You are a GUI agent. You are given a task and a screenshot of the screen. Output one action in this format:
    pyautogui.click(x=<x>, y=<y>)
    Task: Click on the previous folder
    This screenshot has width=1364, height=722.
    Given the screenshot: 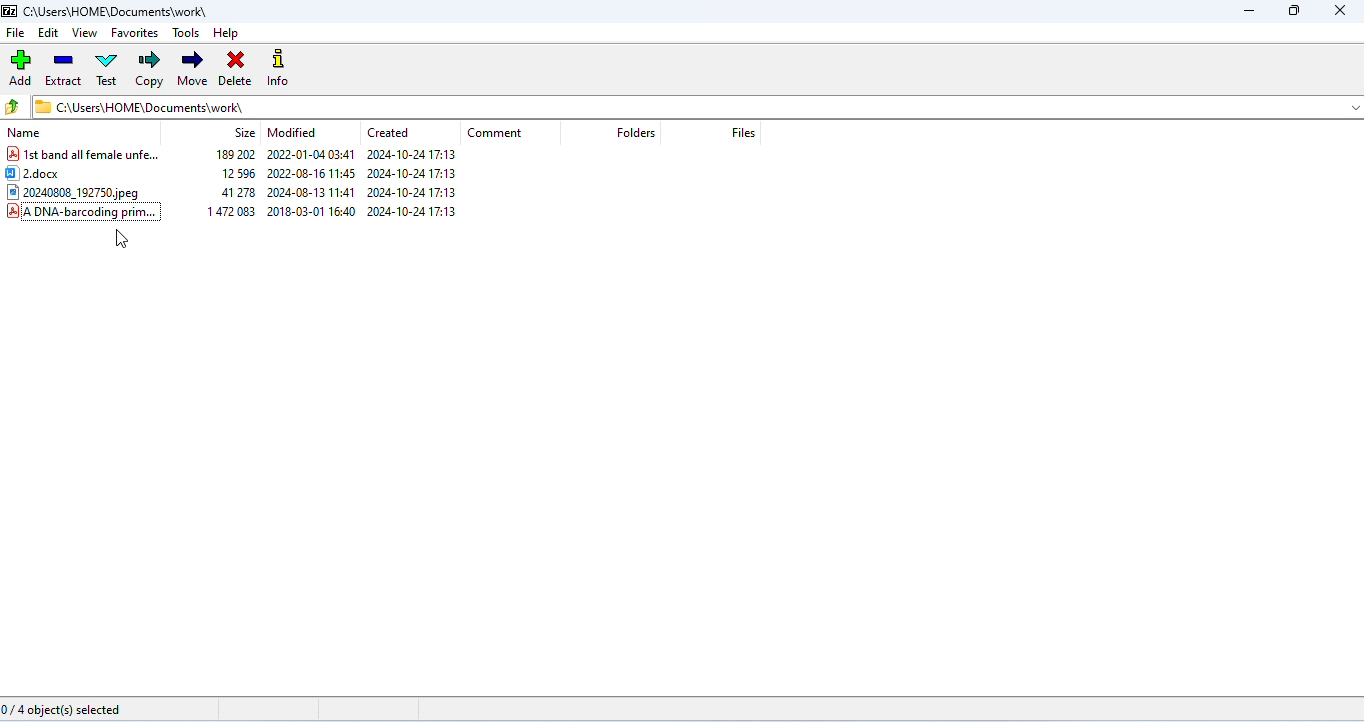 What is the action you would take?
    pyautogui.click(x=14, y=106)
    